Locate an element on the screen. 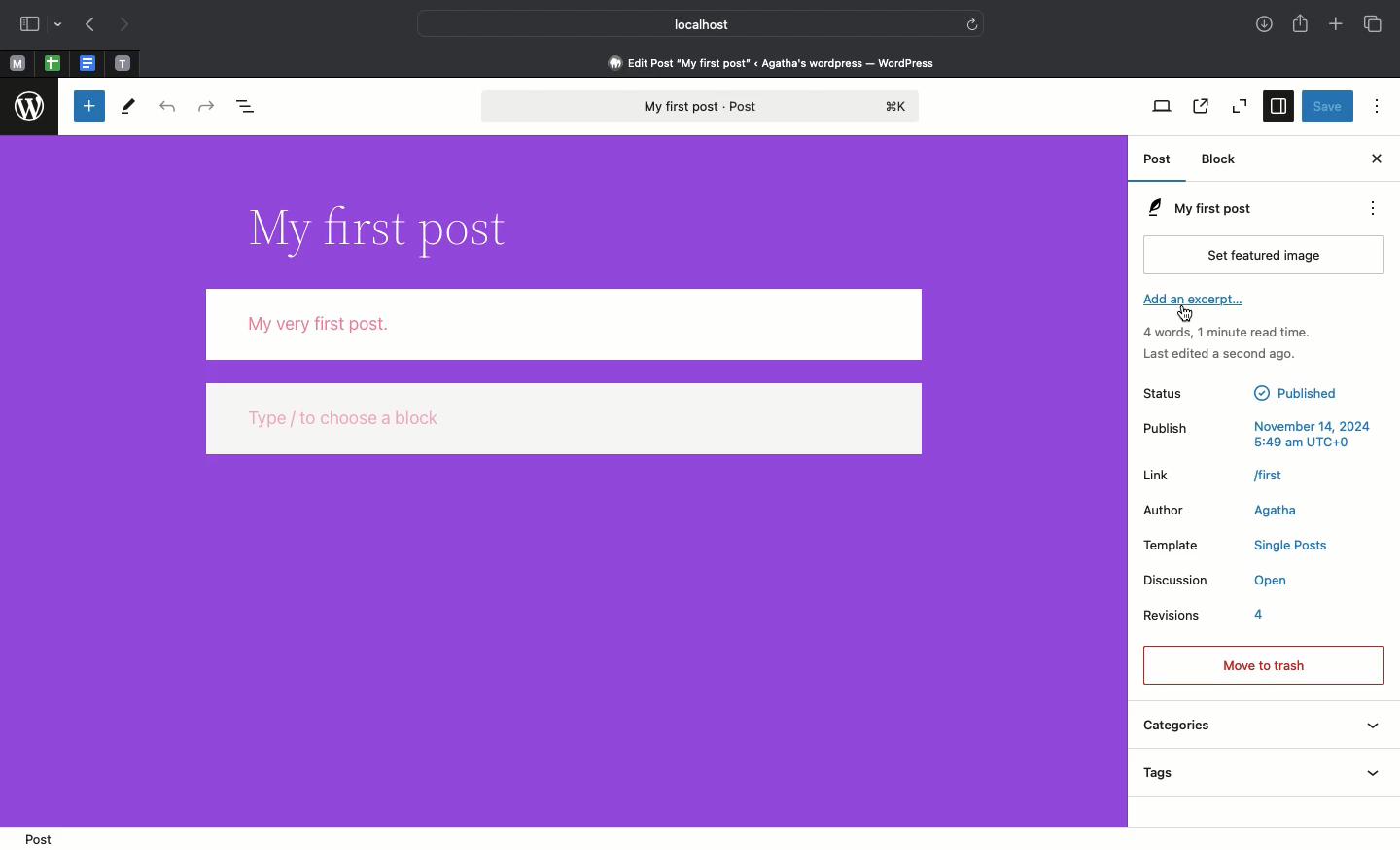  Close is located at coordinates (1375, 159).